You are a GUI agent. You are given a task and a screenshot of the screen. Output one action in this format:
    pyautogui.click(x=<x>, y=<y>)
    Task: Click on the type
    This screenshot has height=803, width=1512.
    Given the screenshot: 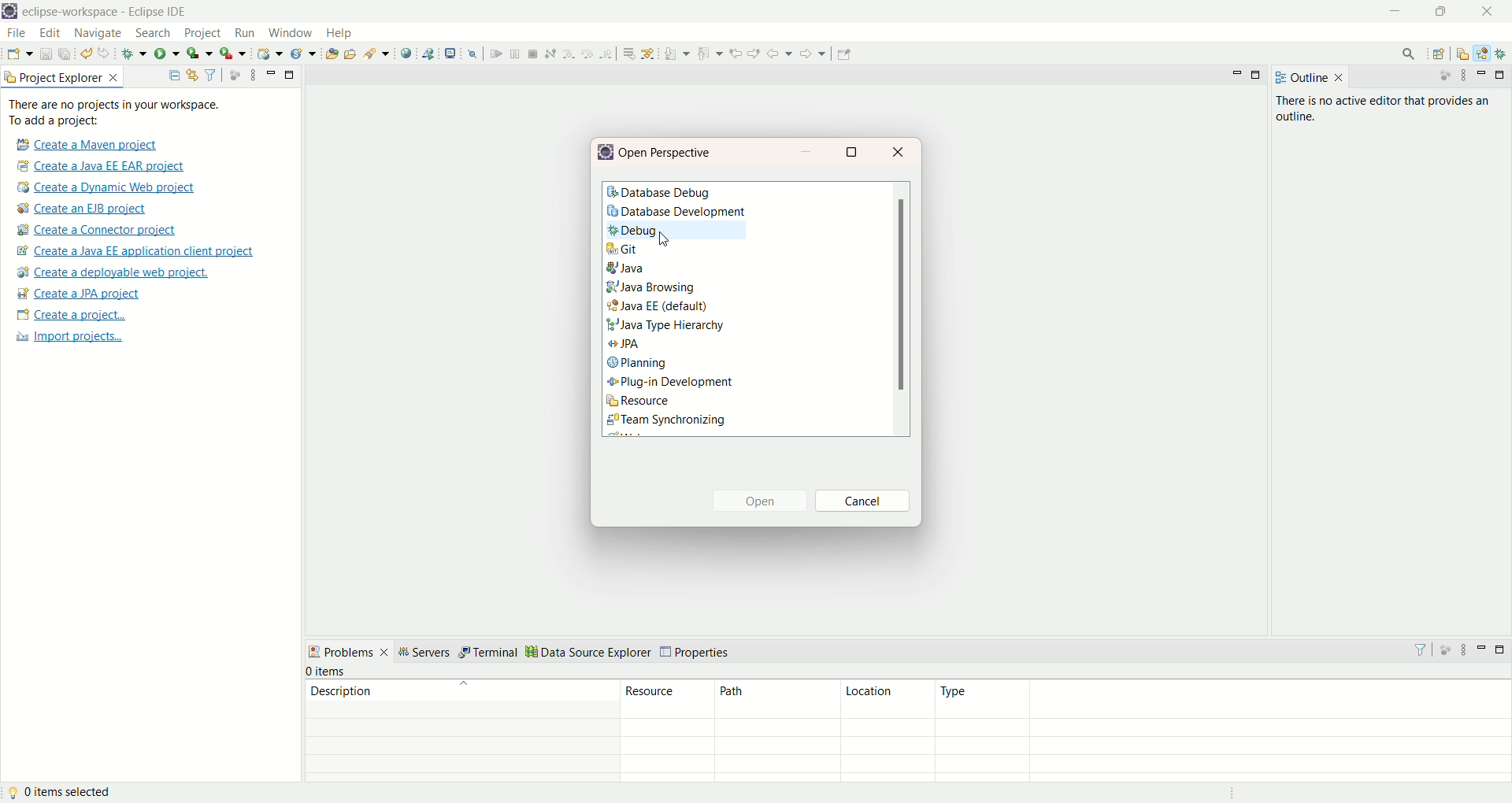 What is the action you would take?
    pyautogui.click(x=1223, y=731)
    